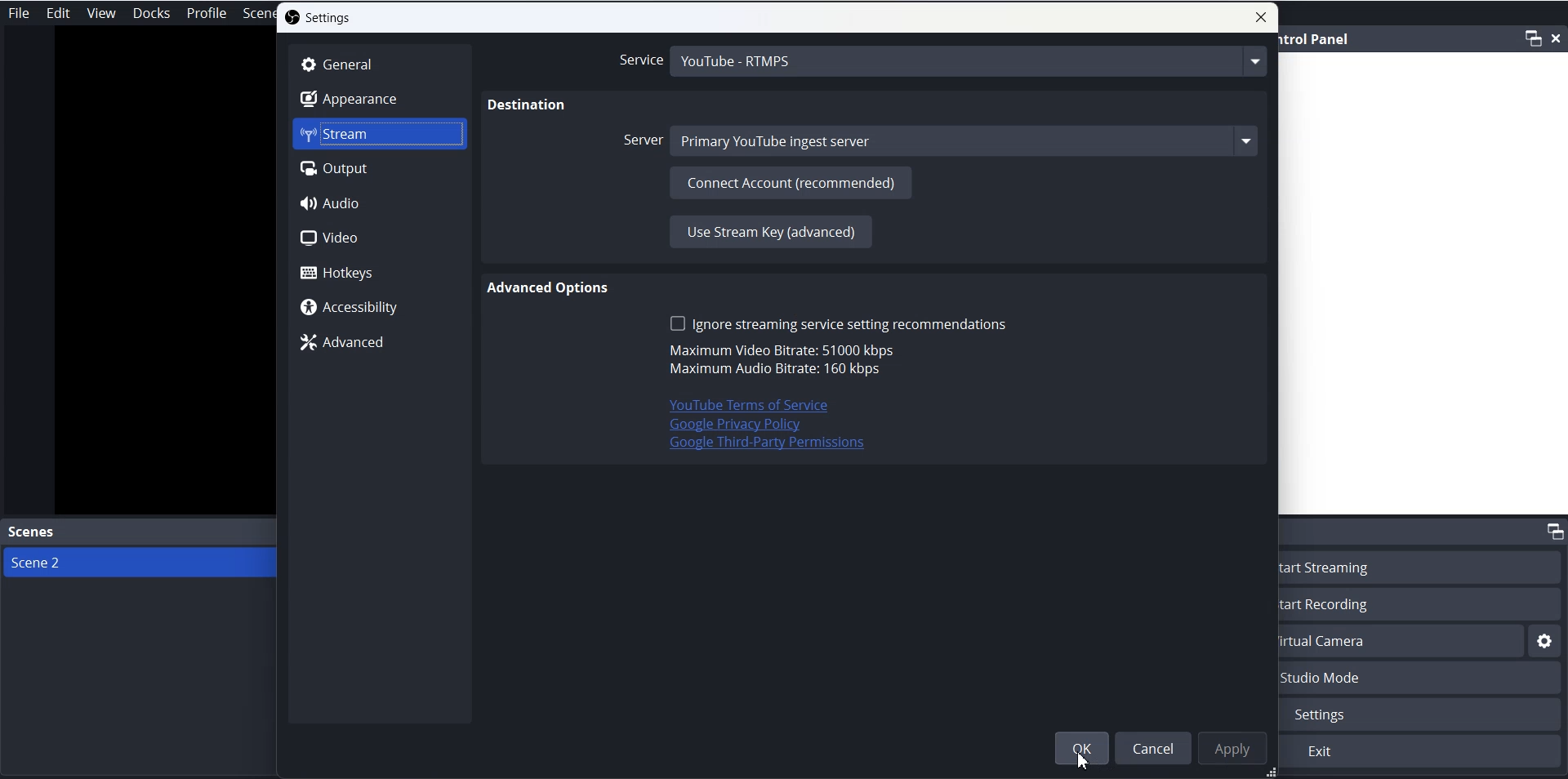 This screenshot has width=1568, height=779. What do you see at coordinates (380, 168) in the screenshot?
I see `Output` at bounding box center [380, 168].